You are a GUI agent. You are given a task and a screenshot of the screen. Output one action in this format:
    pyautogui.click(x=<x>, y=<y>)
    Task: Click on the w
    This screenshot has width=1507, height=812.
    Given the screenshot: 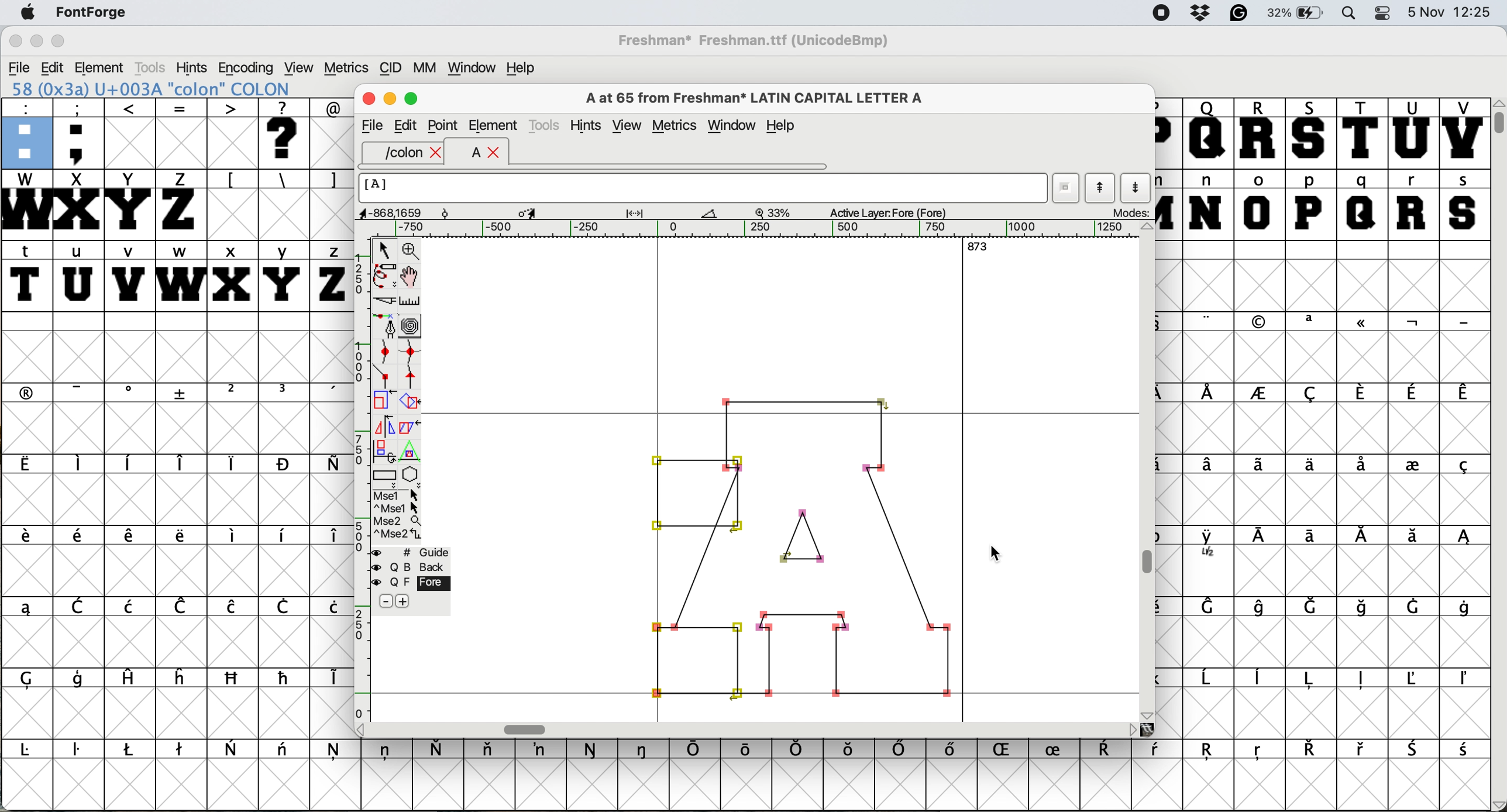 What is the action you would take?
    pyautogui.click(x=178, y=274)
    